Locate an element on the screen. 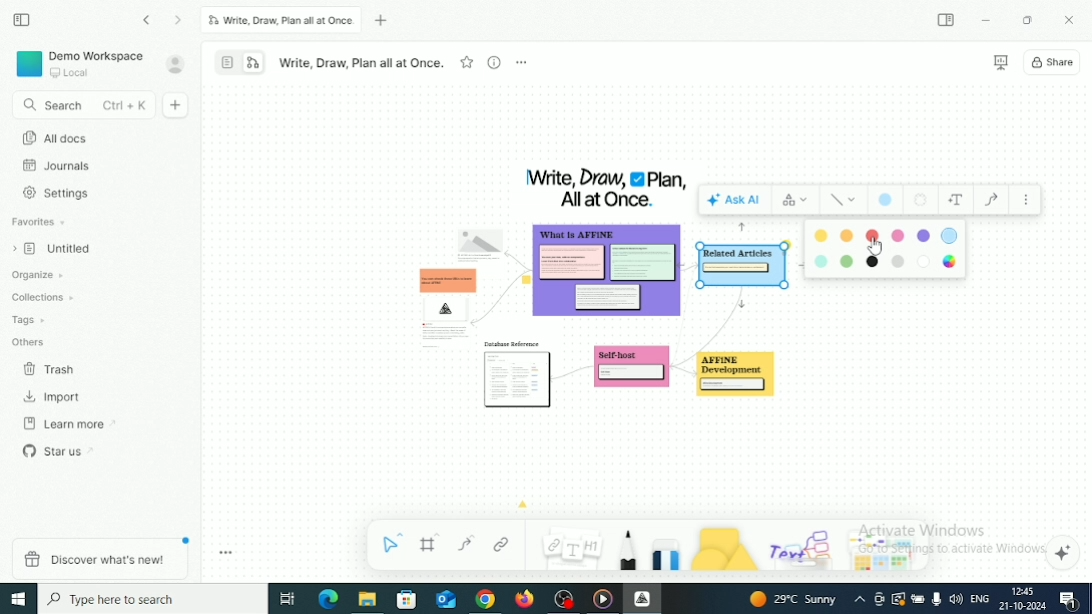 This screenshot has width=1092, height=614. Mic is located at coordinates (936, 600).